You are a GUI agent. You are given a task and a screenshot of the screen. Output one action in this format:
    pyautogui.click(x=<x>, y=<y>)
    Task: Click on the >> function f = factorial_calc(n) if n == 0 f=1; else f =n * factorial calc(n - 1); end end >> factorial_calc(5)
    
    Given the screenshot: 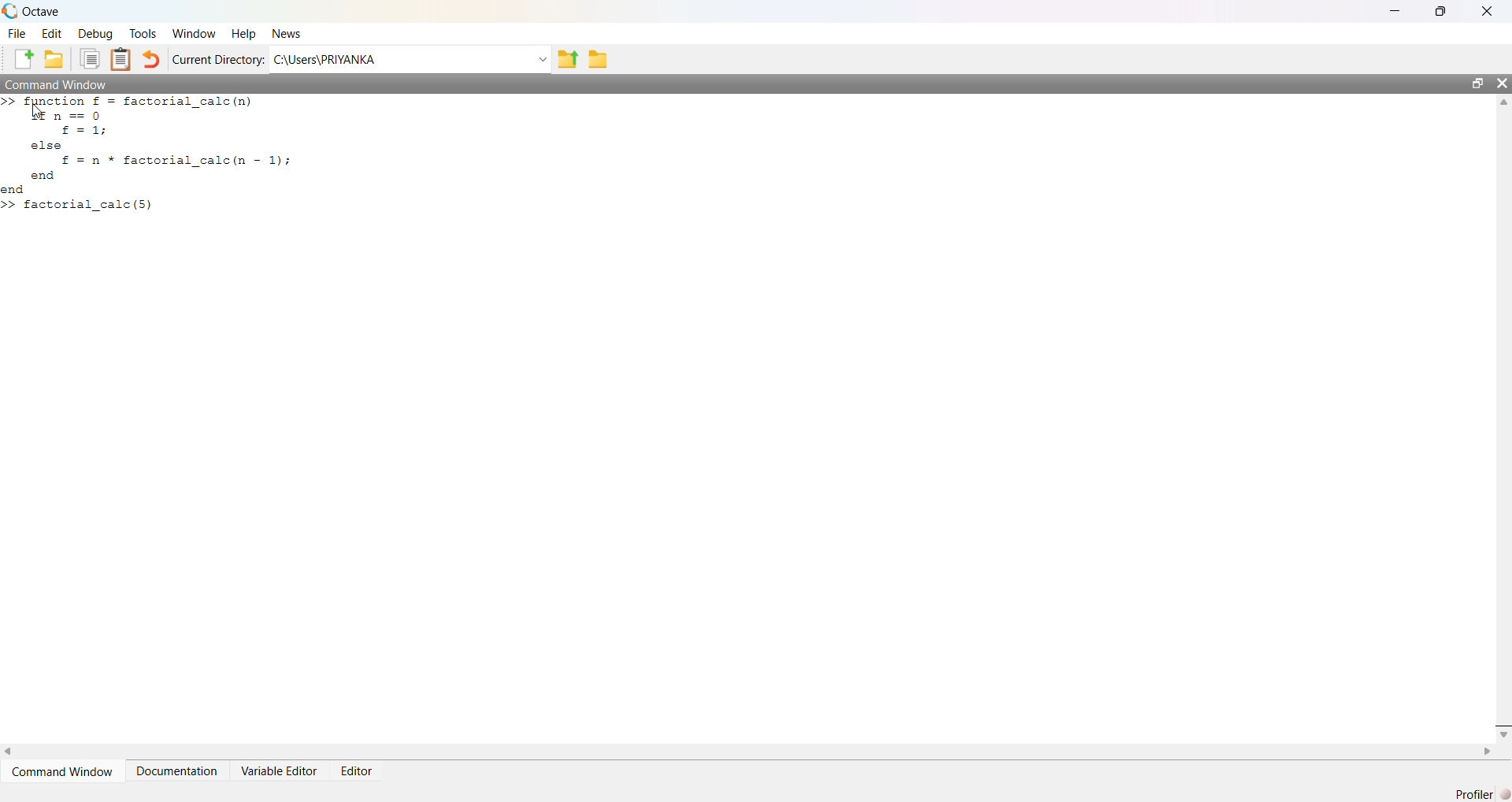 What is the action you would take?
    pyautogui.click(x=147, y=154)
    